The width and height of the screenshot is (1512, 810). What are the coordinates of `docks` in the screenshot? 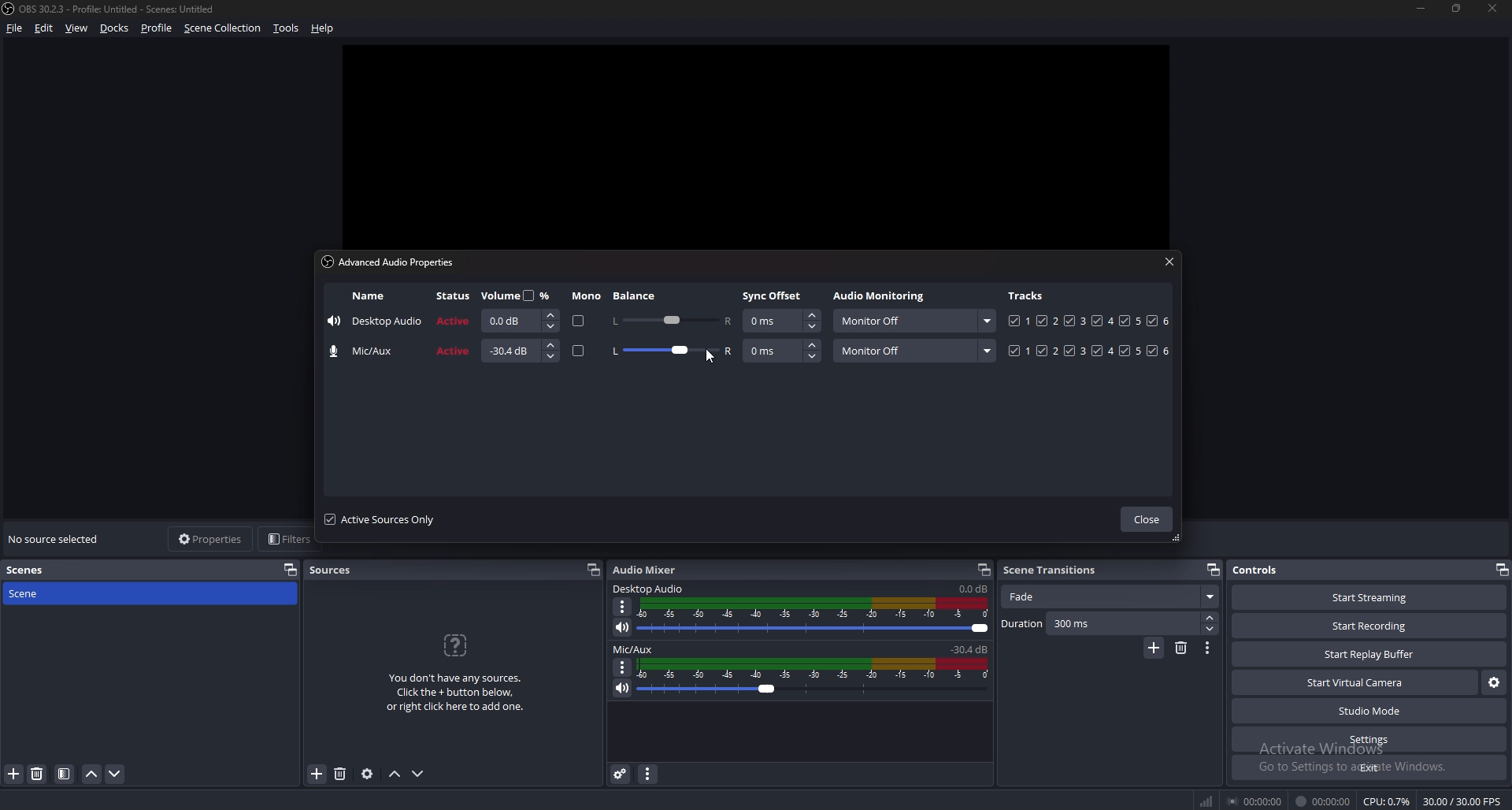 It's located at (114, 28).